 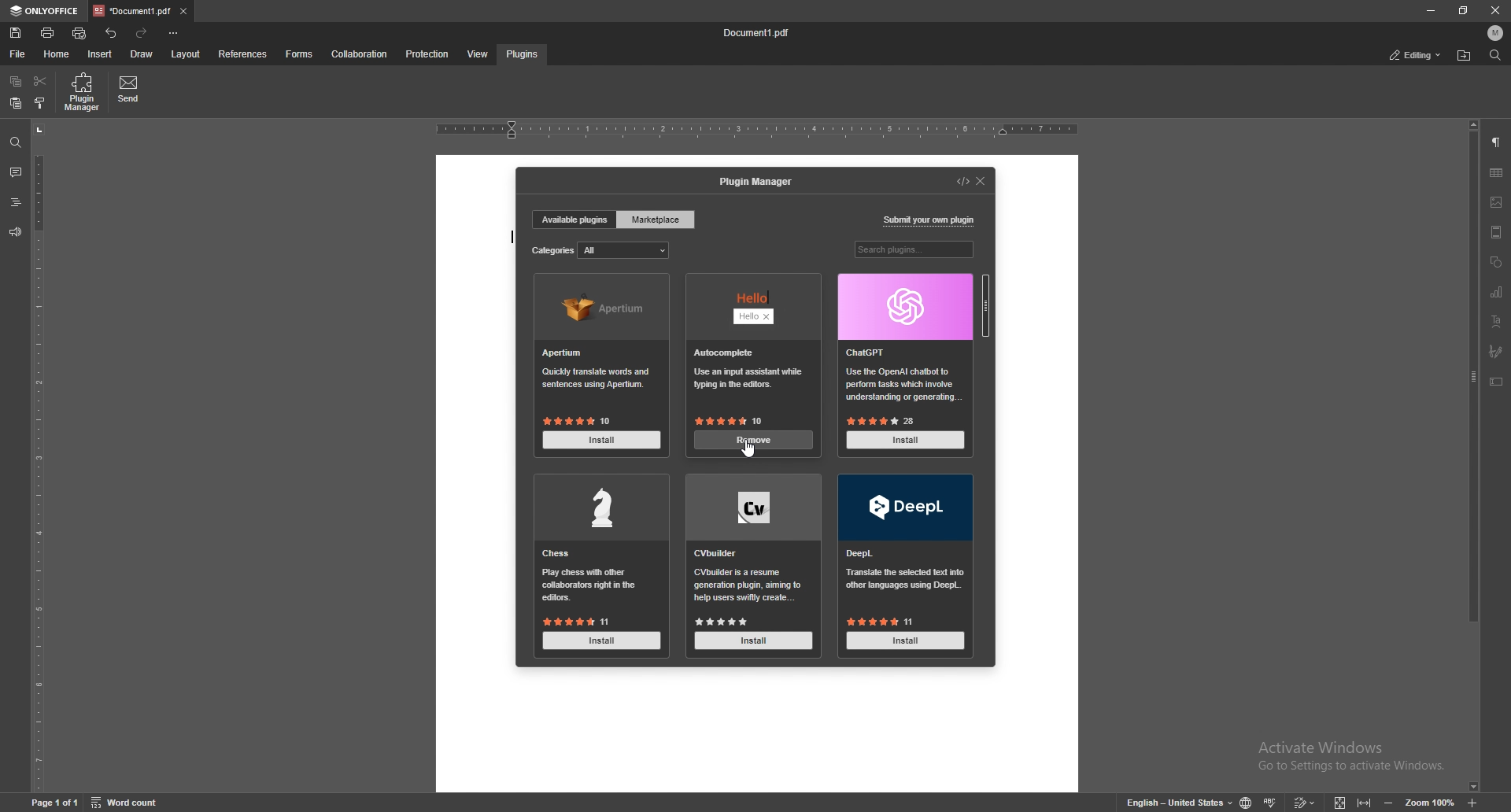 I want to click on install, so click(x=755, y=440).